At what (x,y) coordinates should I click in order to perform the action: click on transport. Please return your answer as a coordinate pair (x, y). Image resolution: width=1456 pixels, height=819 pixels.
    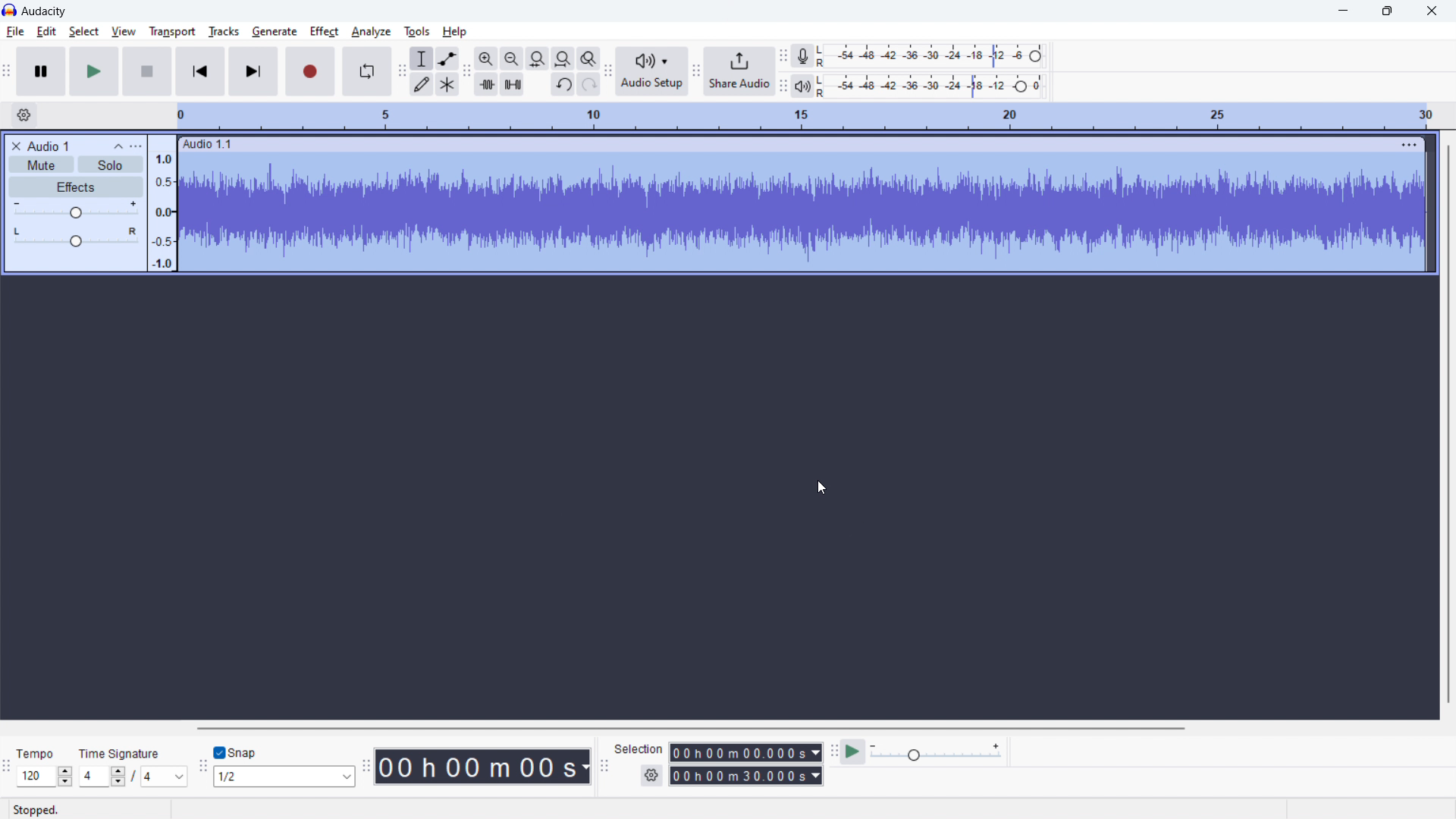
    Looking at the image, I should click on (172, 31).